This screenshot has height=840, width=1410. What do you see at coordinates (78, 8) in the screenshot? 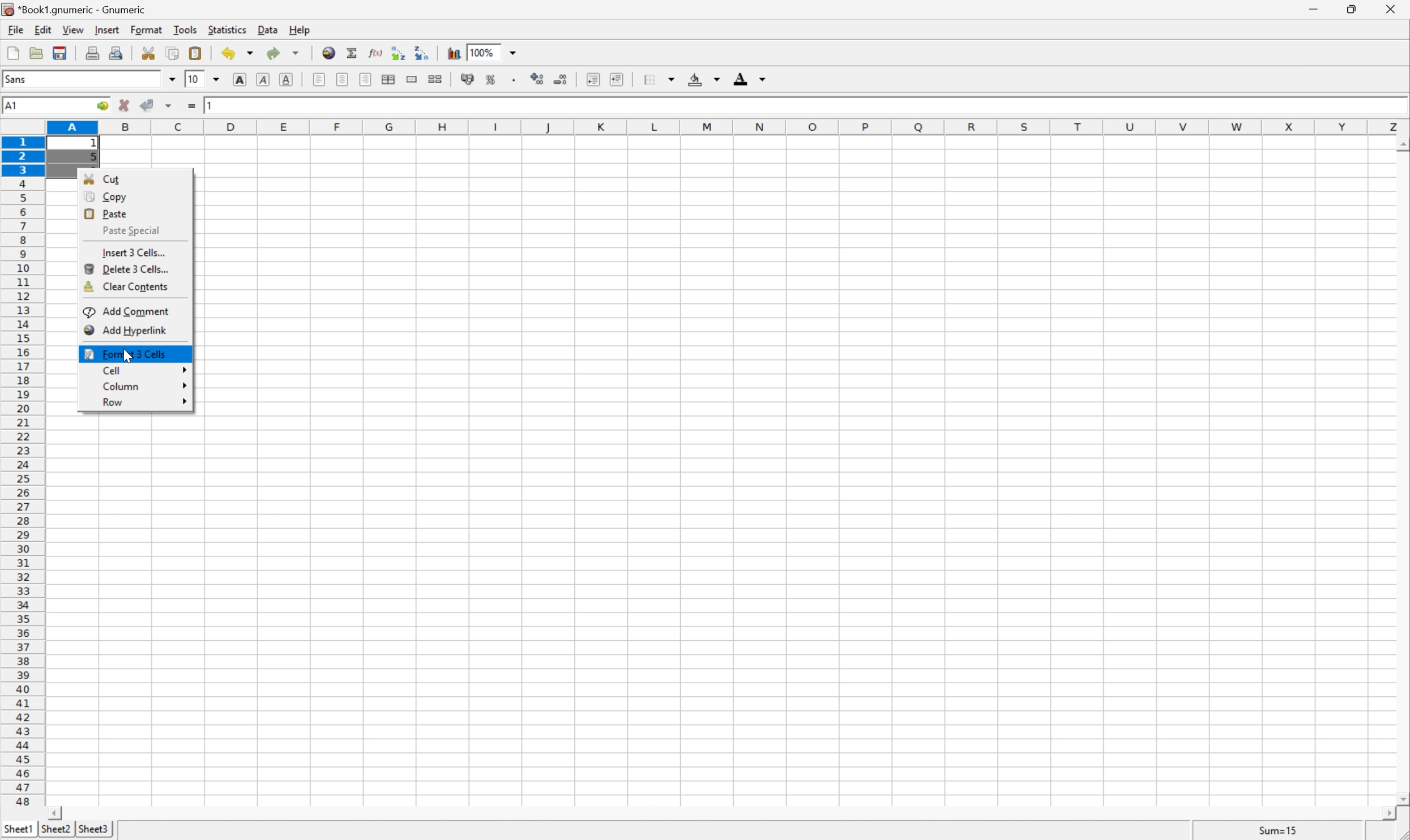
I see `application name` at bounding box center [78, 8].